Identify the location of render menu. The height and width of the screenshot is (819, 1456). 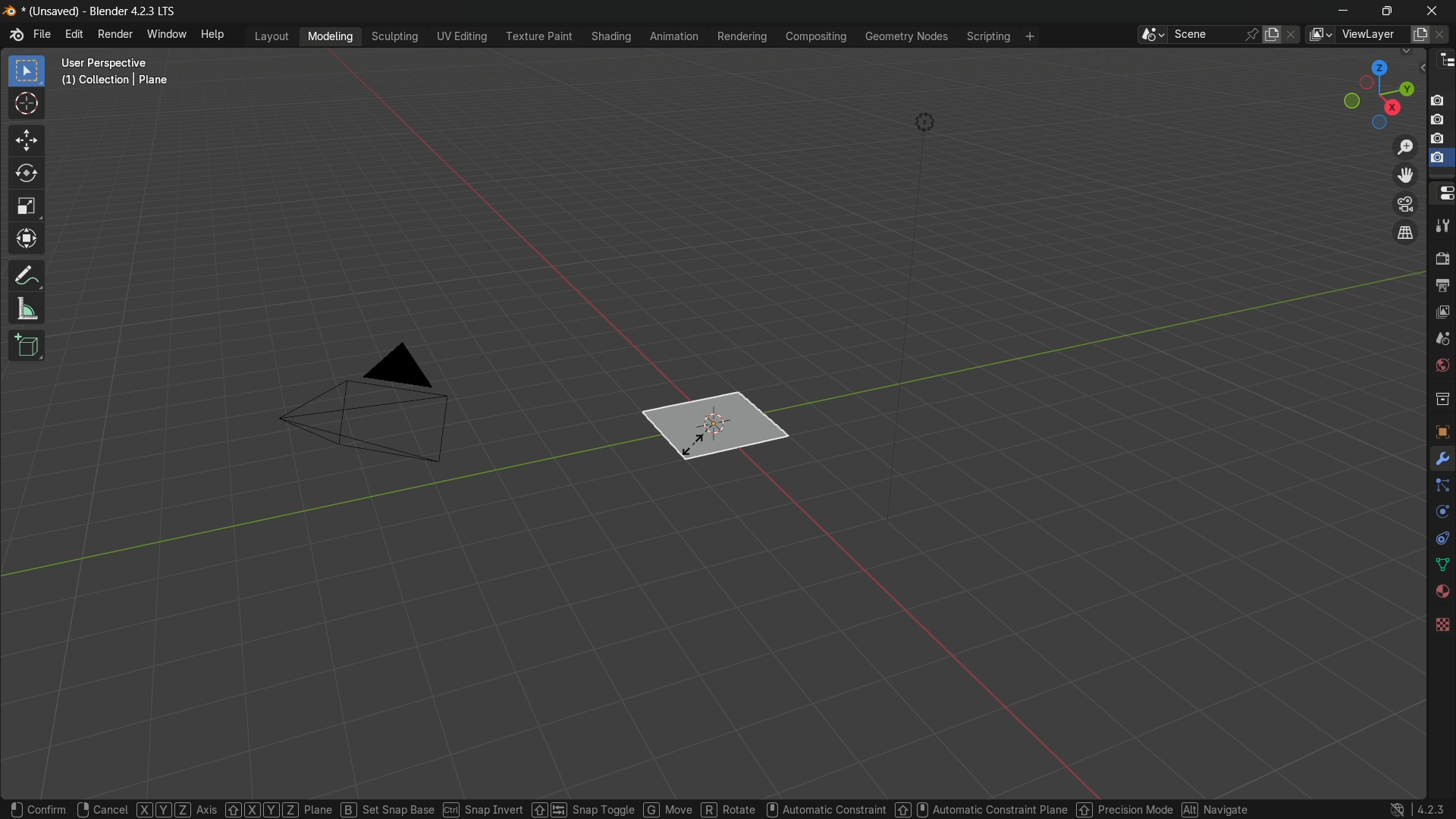
(117, 36).